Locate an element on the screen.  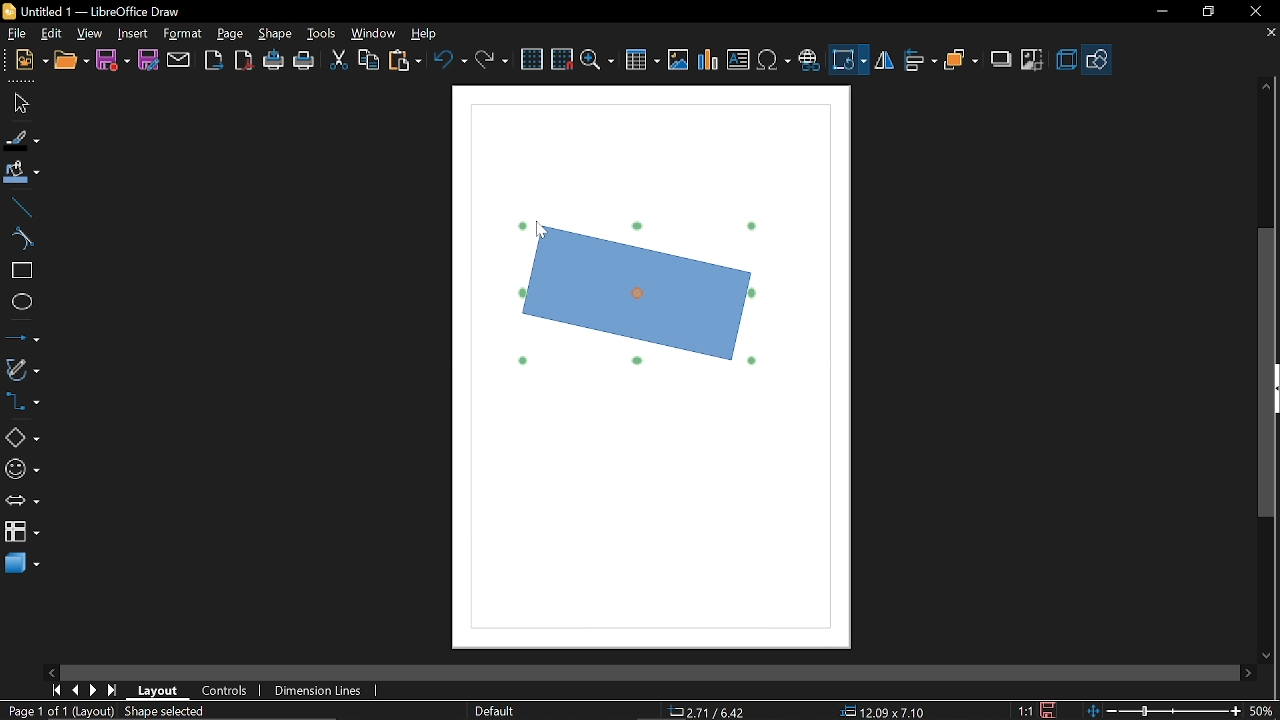
Shadow is located at coordinates (998, 60).